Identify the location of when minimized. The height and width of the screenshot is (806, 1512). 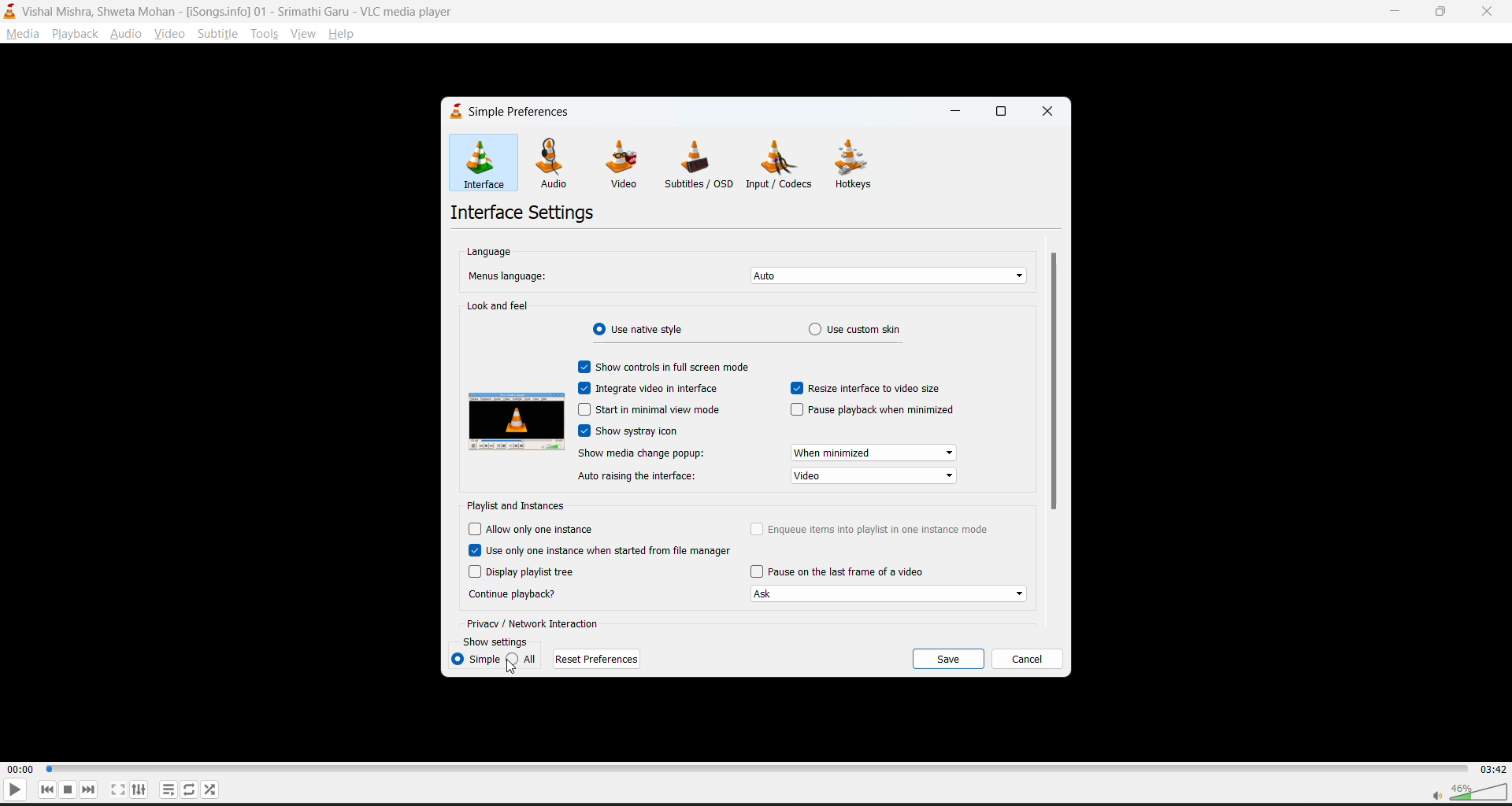
(873, 453).